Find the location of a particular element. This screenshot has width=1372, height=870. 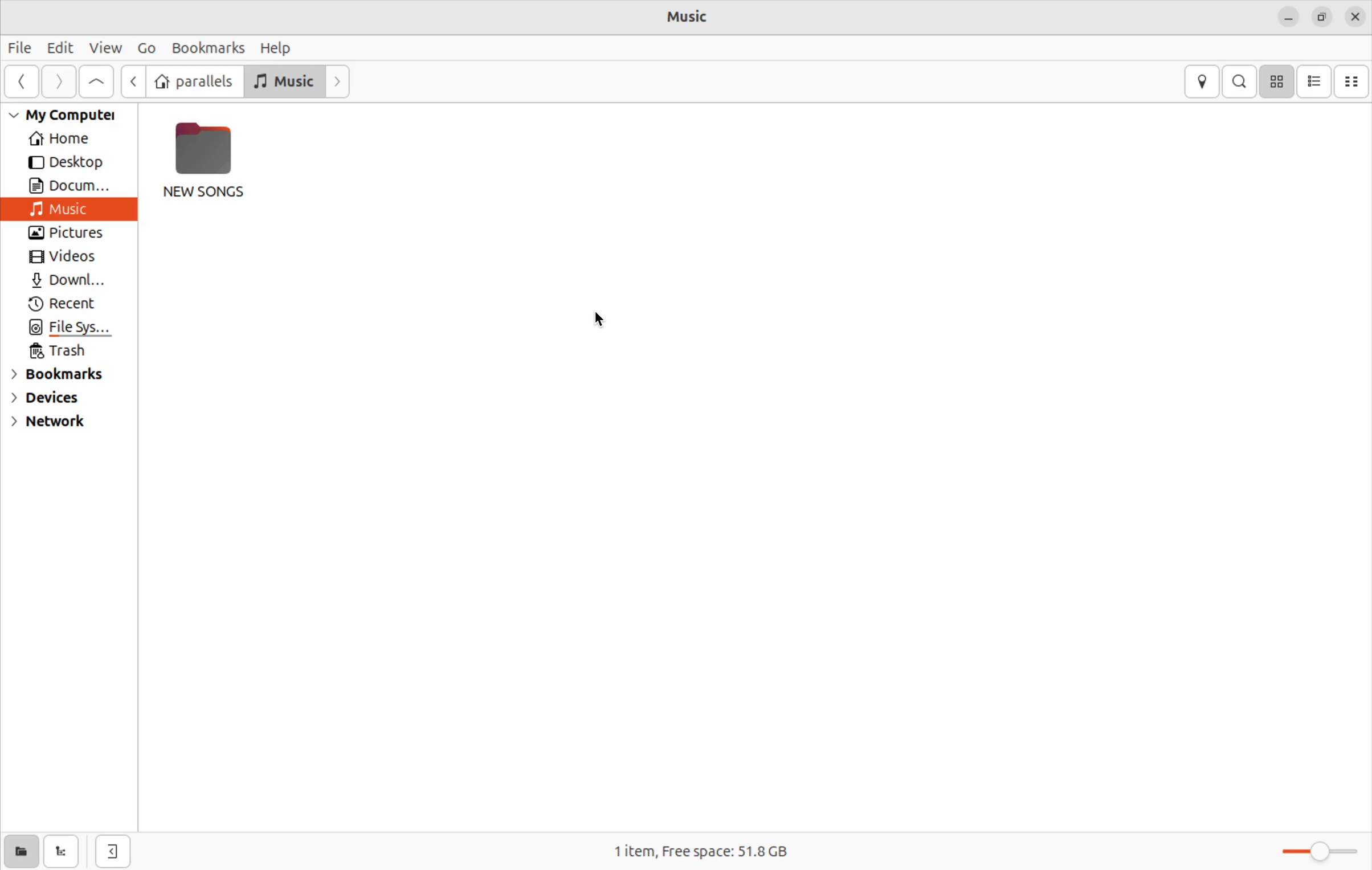

Music is located at coordinates (59, 209).